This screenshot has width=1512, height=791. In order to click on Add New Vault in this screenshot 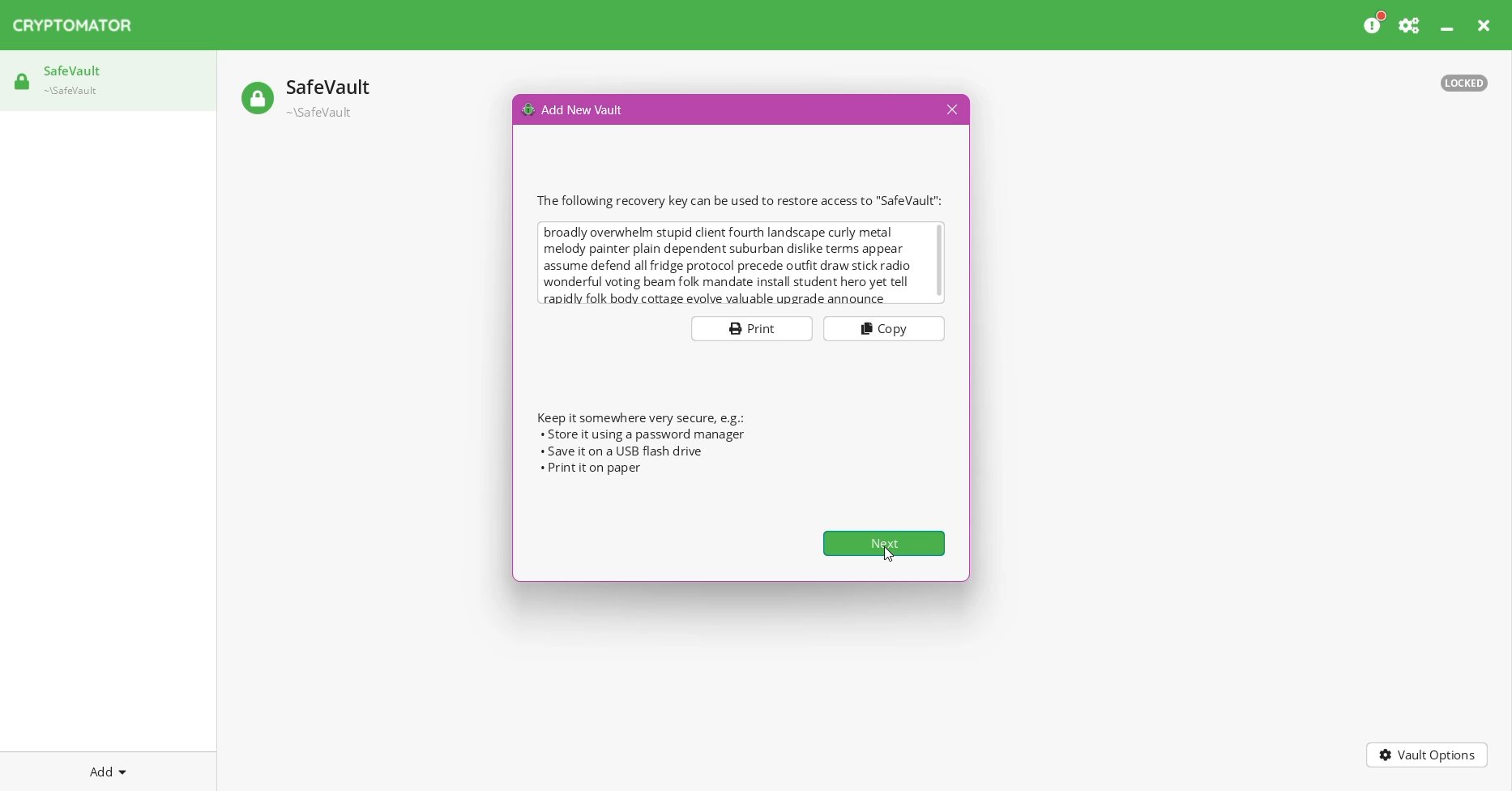, I will do `click(574, 109)`.